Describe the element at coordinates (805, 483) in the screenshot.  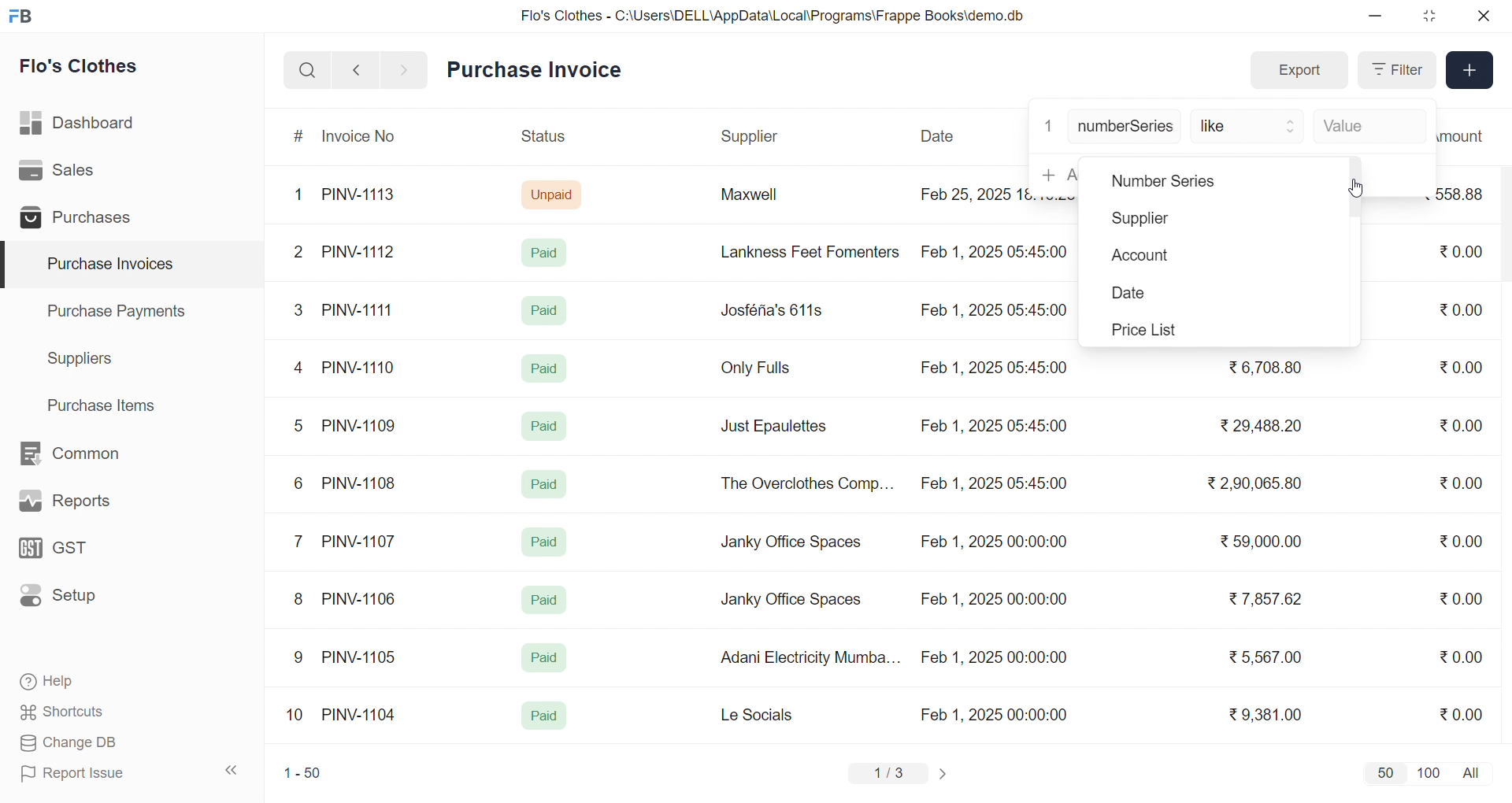
I see `The Overclothes Comp...` at that location.